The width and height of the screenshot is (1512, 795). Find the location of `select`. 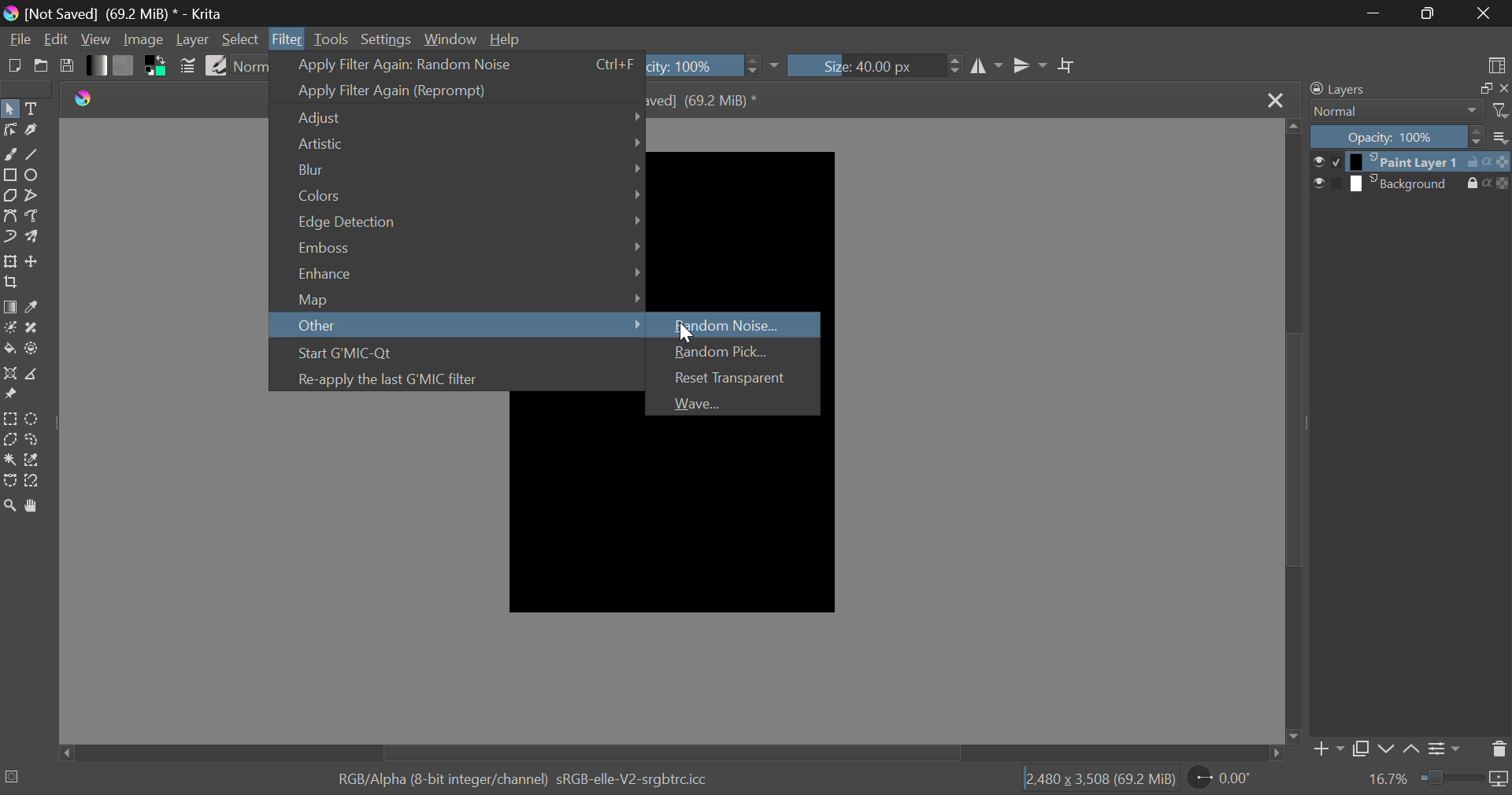

select is located at coordinates (1315, 183).